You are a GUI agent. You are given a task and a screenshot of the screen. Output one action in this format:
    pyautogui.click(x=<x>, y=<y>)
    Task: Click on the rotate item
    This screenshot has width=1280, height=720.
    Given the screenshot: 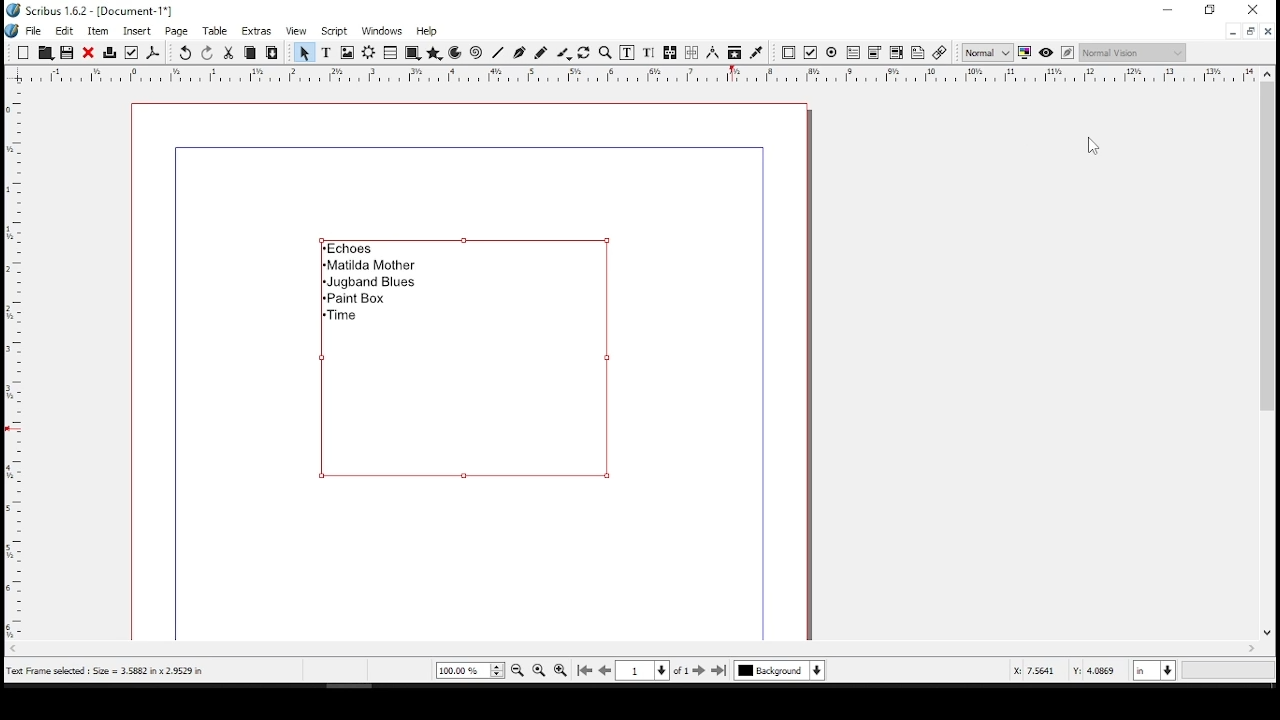 What is the action you would take?
    pyautogui.click(x=585, y=52)
    